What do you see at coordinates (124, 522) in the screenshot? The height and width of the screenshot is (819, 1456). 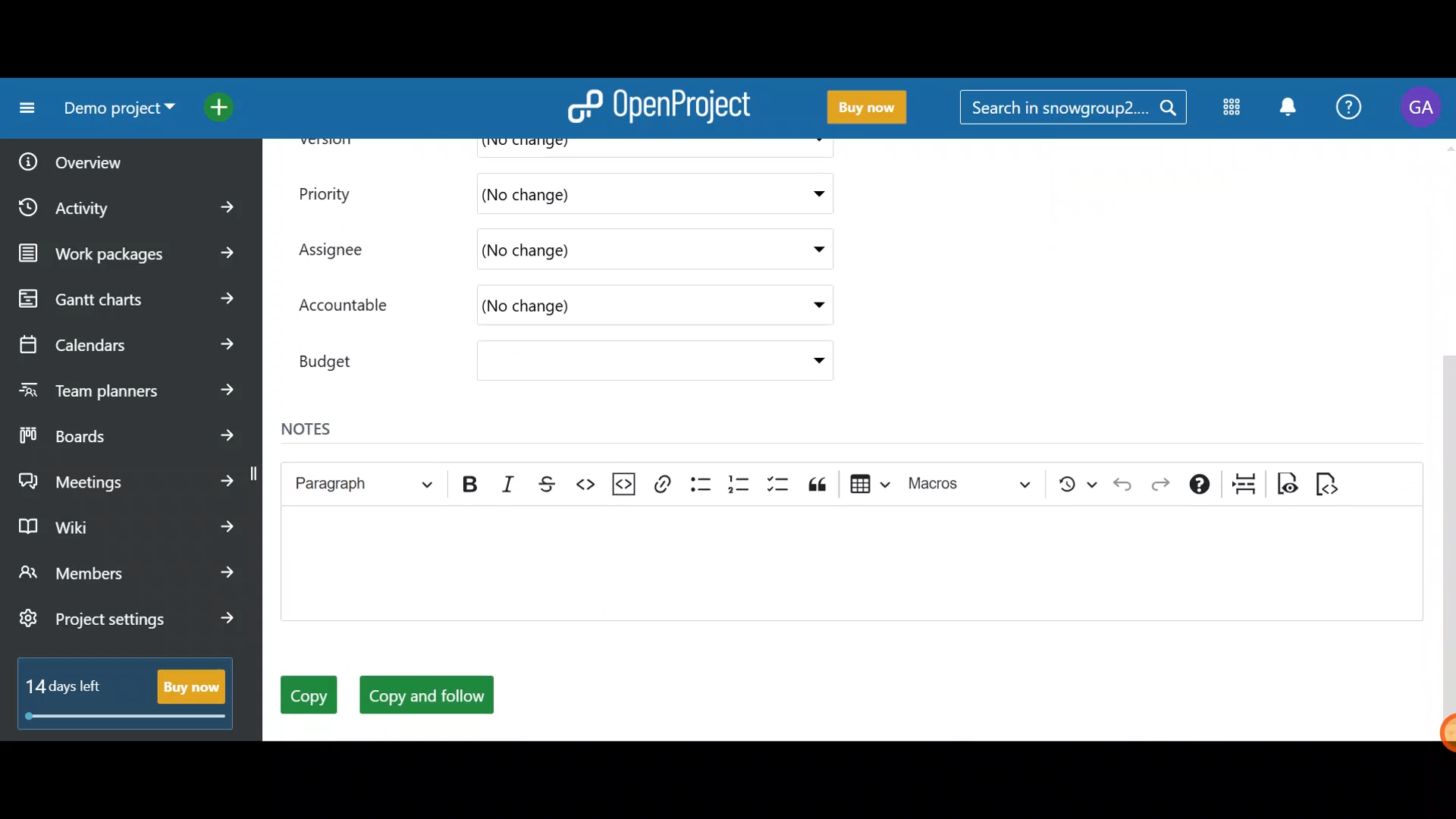 I see `Wiki` at bounding box center [124, 522].